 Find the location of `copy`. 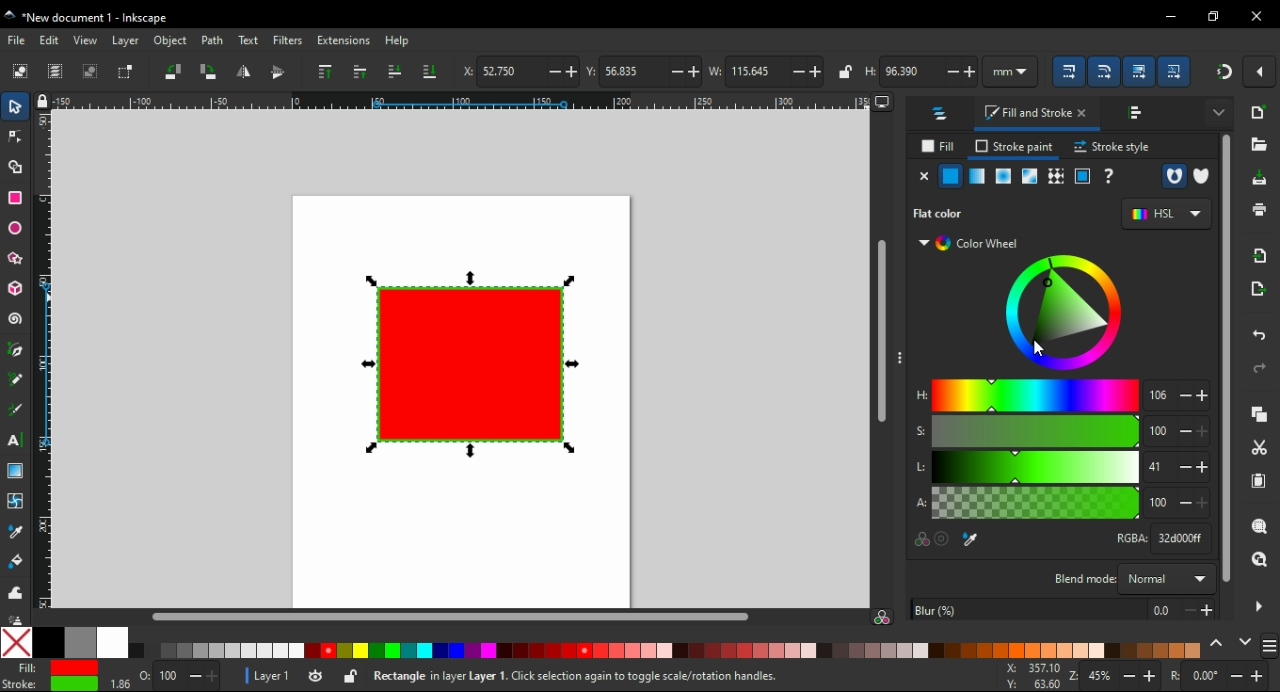

copy is located at coordinates (1256, 413).